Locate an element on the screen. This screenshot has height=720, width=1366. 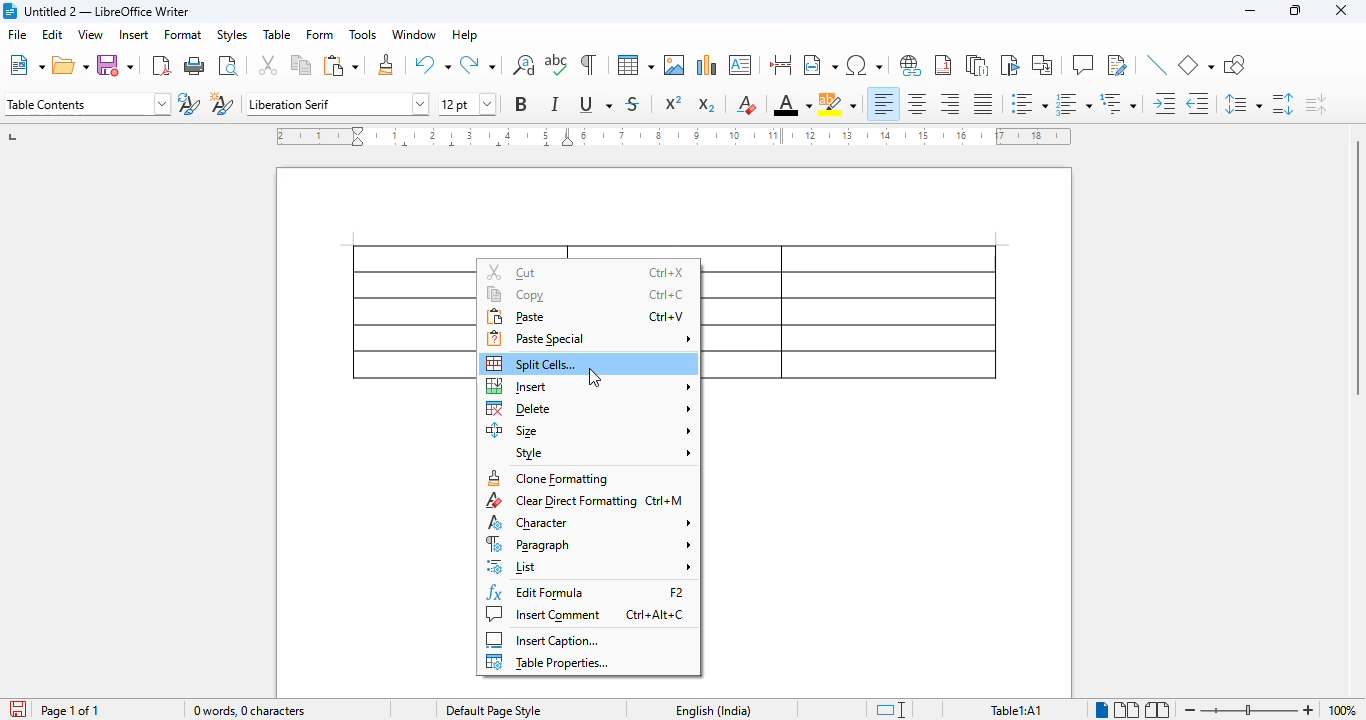
underline is located at coordinates (595, 104).